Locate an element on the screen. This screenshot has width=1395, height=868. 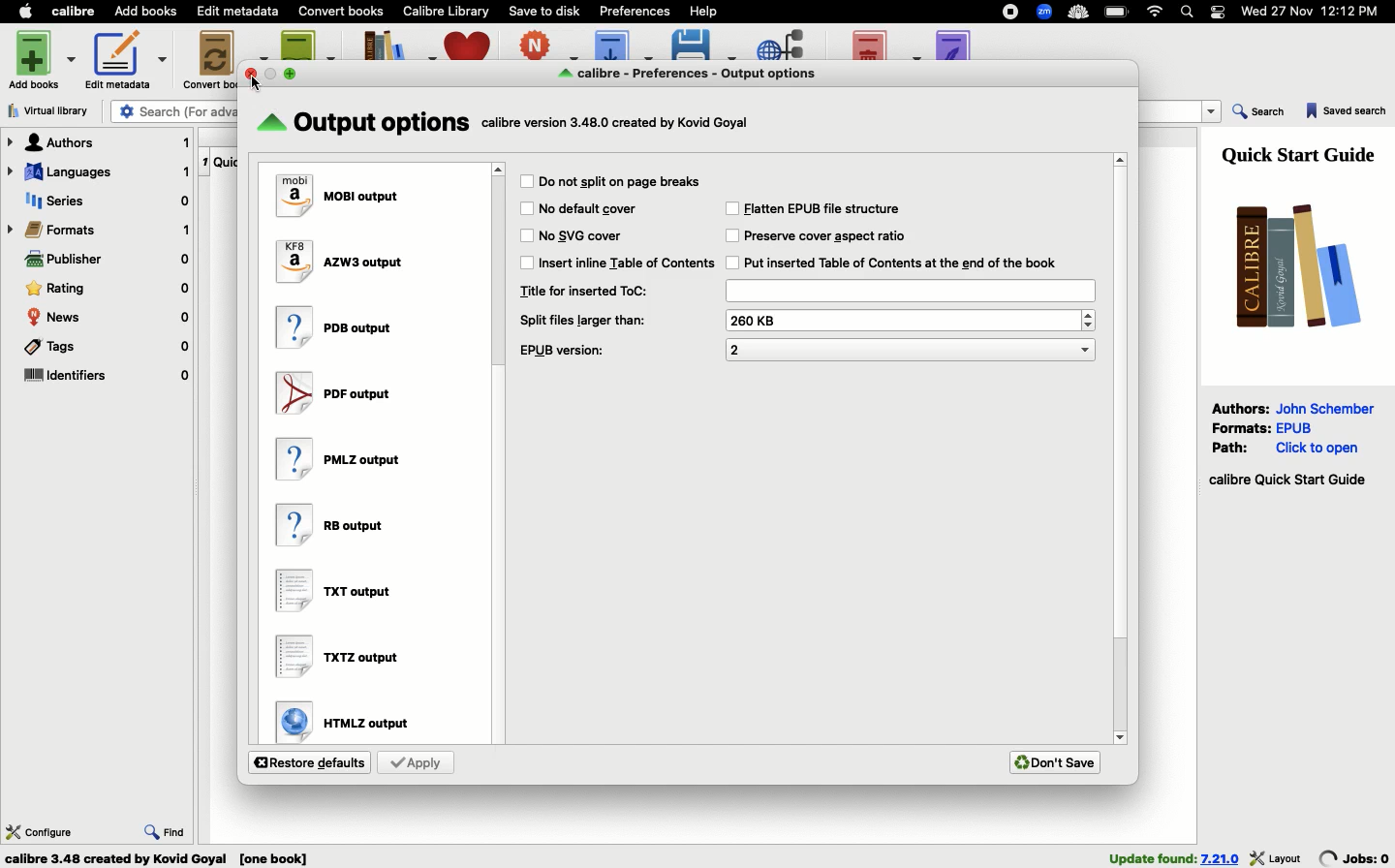
close is located at coordinates (252, 74).